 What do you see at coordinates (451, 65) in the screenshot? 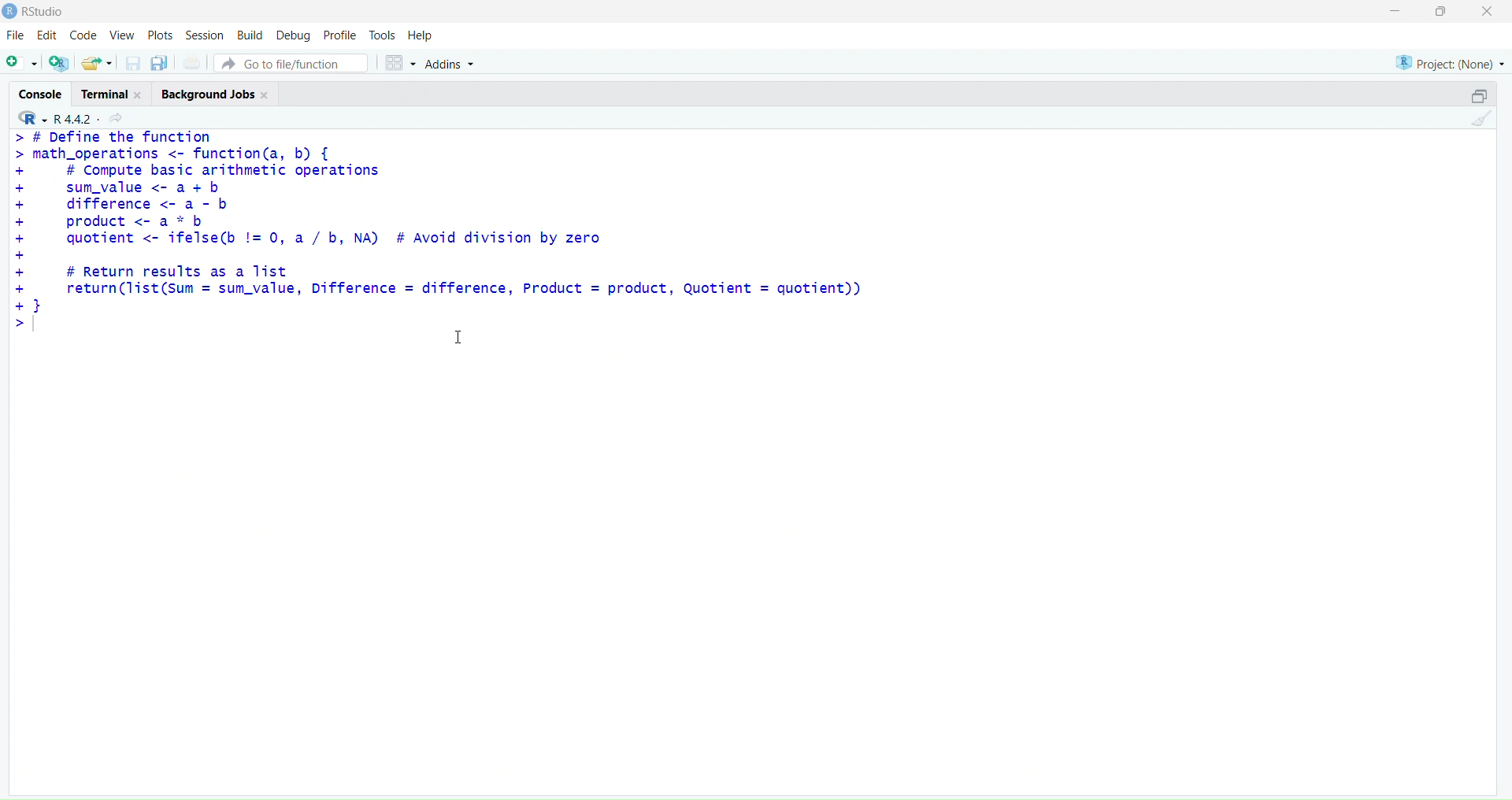
I see `Addins` at bounding box center [451, 65].